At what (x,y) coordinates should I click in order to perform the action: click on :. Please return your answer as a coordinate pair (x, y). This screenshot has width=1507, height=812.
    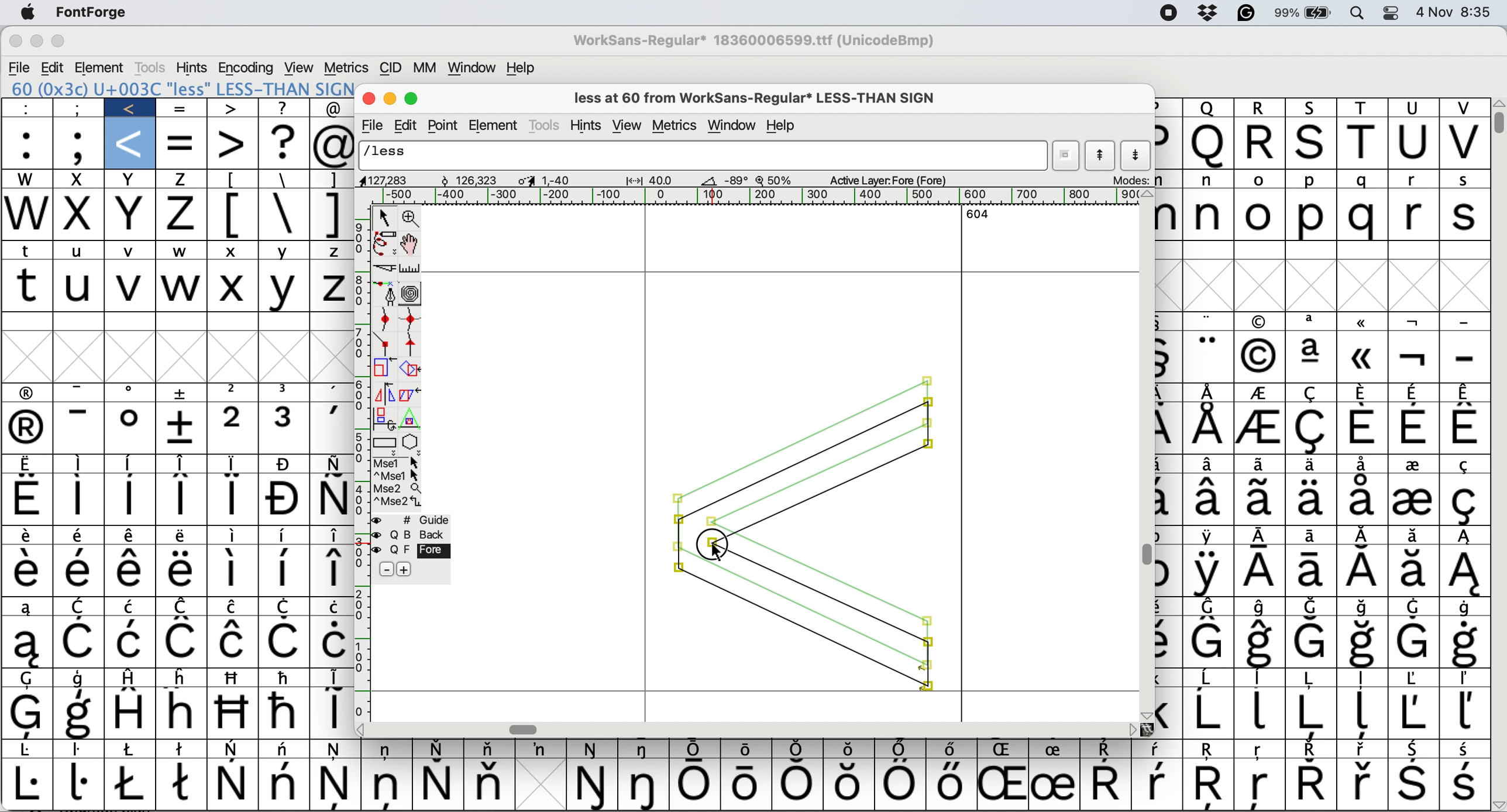
    Looking at the image, I should click on (30, 108).